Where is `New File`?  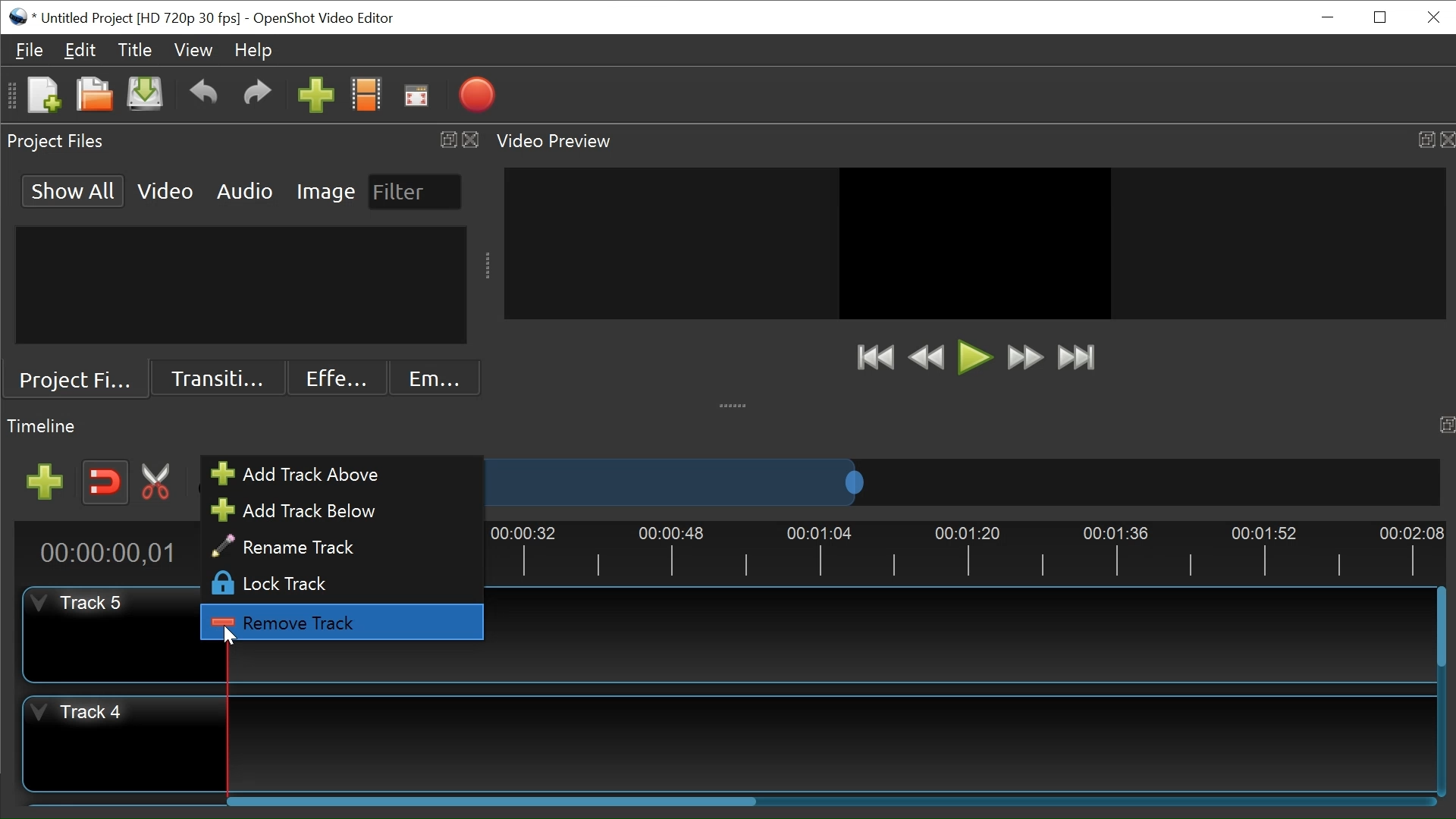 New File is located at coordinates (42, 96).